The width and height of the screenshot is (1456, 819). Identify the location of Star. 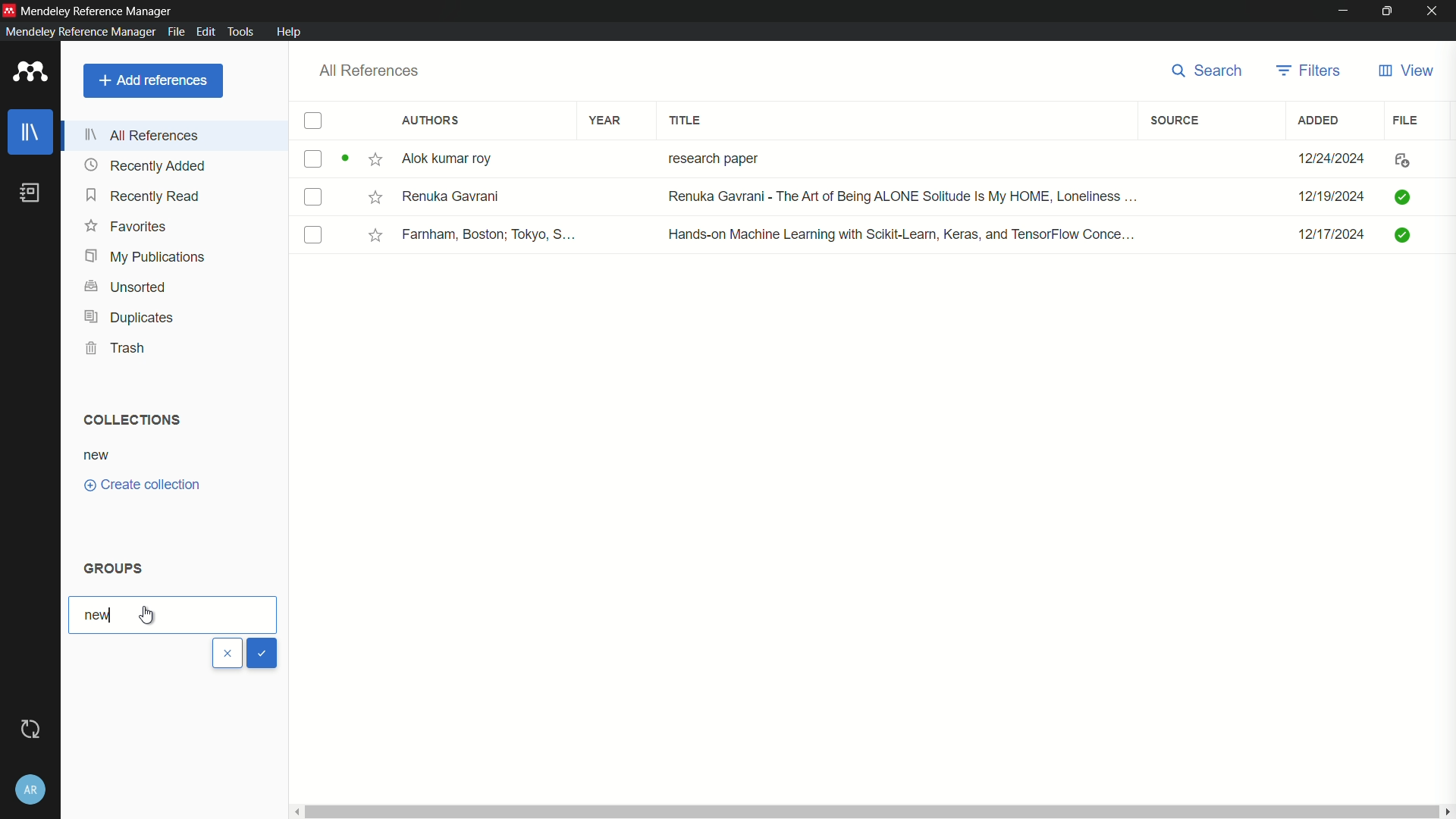
(376, 235).